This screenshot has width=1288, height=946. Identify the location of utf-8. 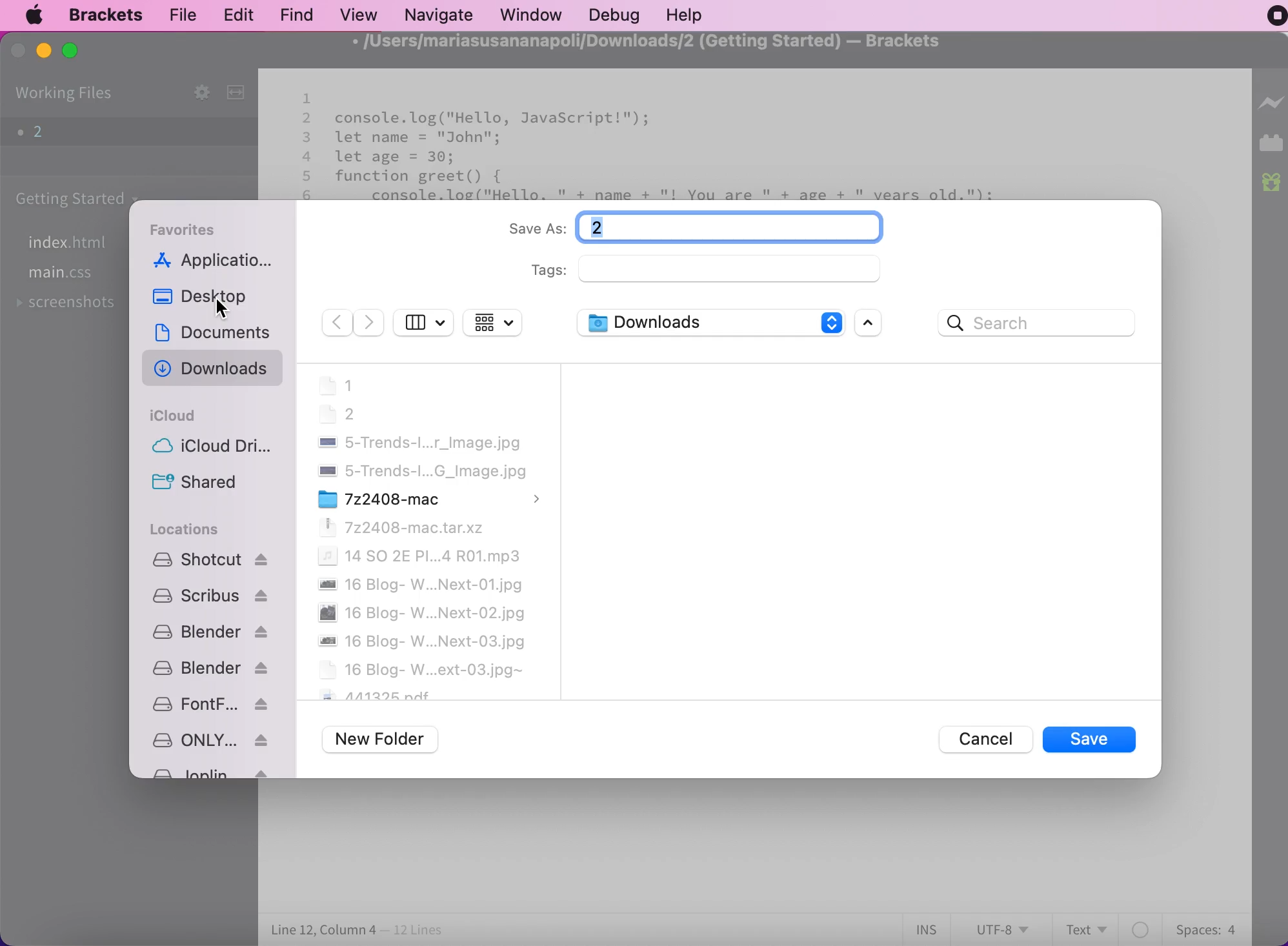
(1001, 929).